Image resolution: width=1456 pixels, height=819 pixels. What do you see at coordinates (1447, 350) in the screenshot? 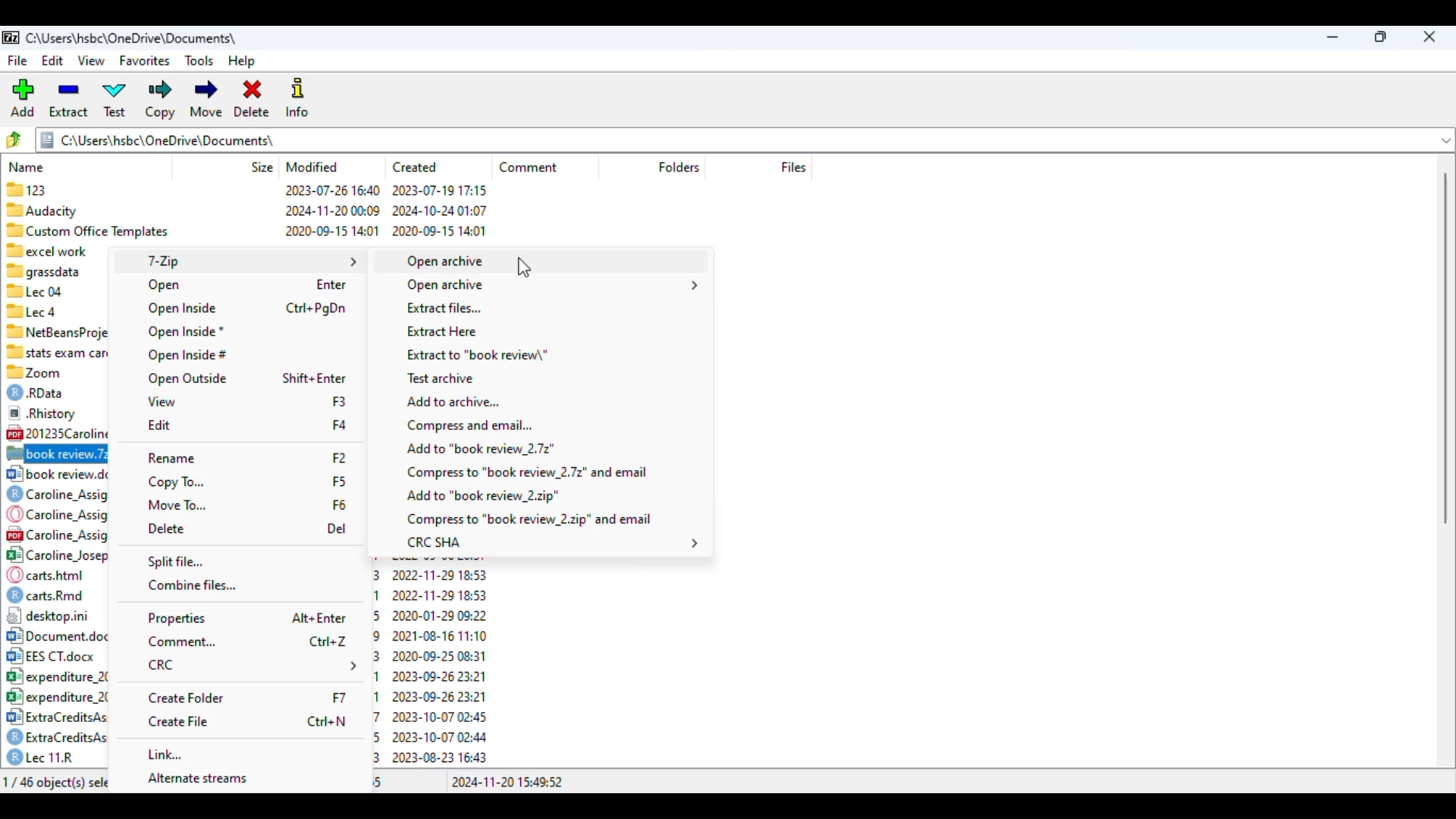
I see `scrollbar` at bounding box center [1447, 350].